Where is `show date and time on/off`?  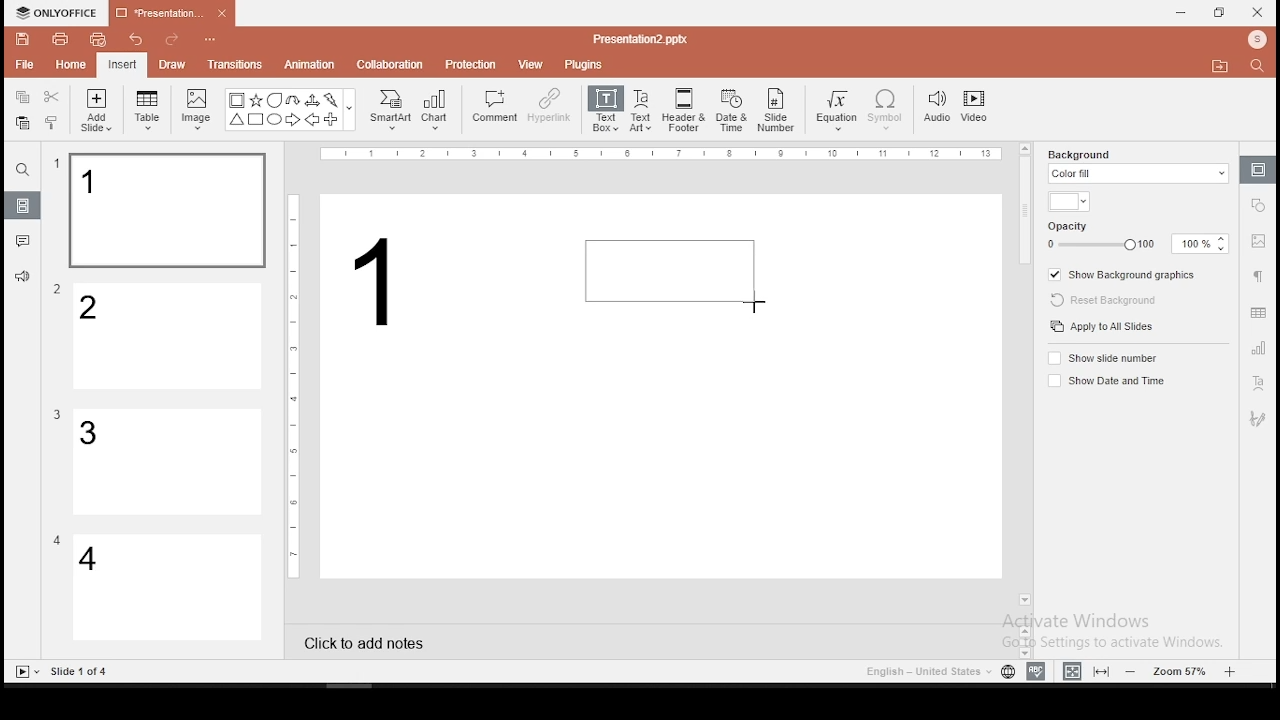 show date and time on/off is located at coordinates (1105, 380).